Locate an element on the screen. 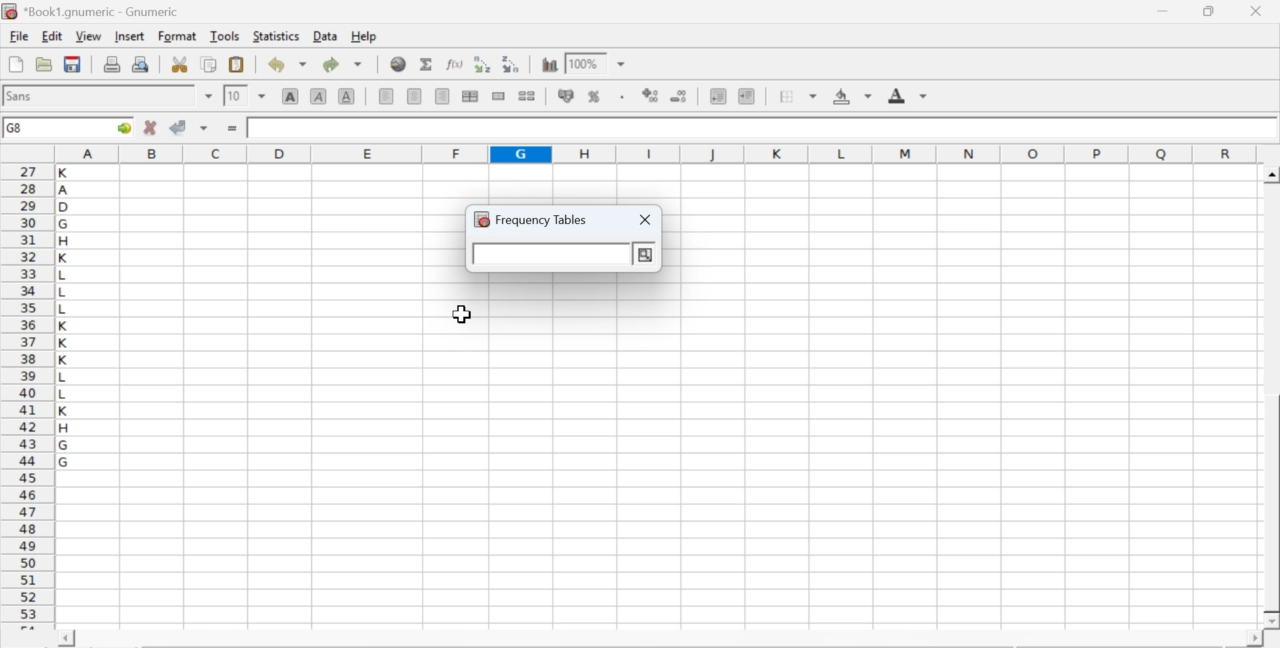 The image size is (1280, 648). foreground is located at coordinates (908, 95).